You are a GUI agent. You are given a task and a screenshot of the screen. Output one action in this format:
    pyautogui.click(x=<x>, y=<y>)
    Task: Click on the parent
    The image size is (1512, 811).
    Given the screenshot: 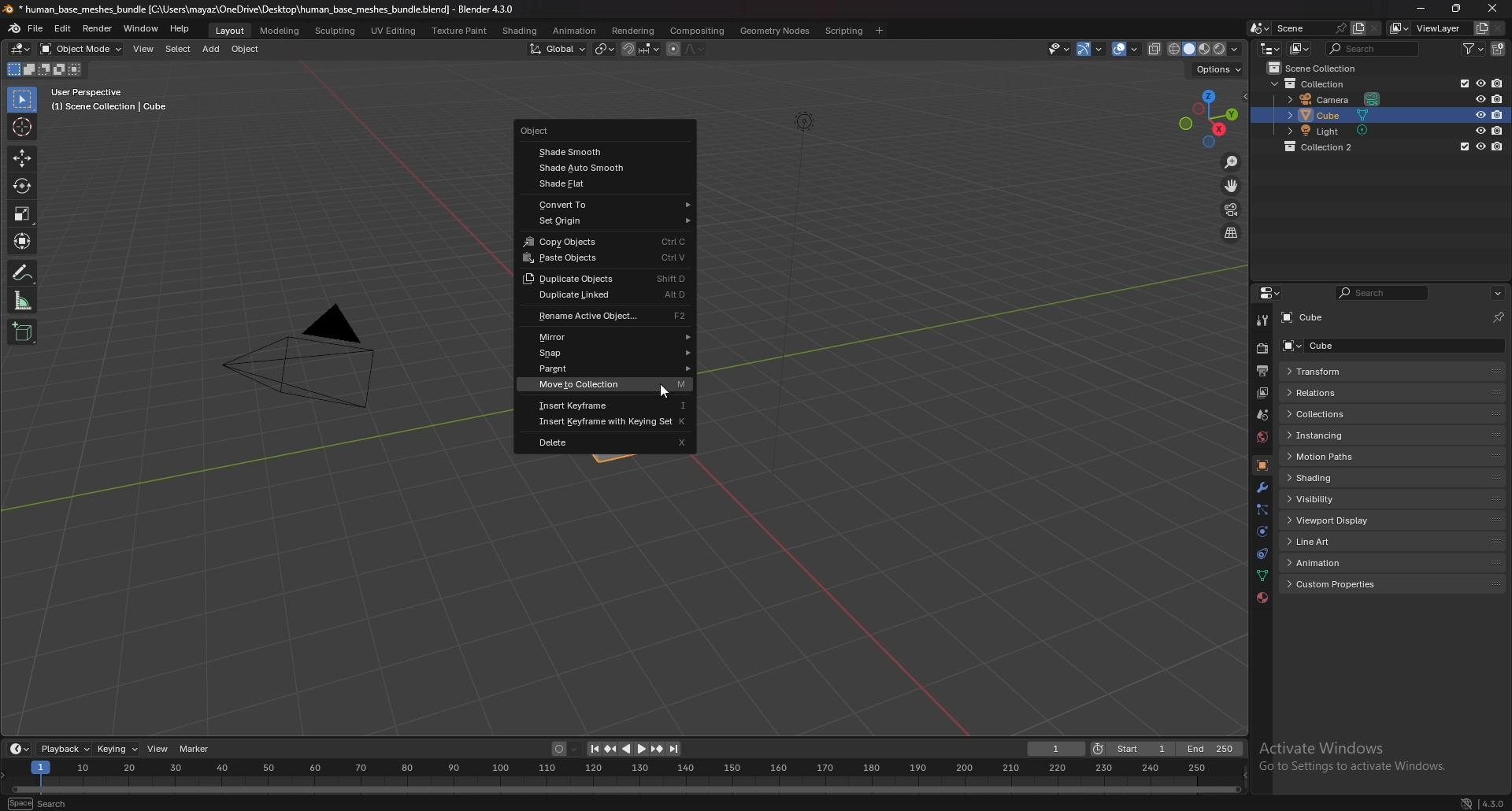 What is the action you would take?
    pyautogui.click(x=610, y=368)
    